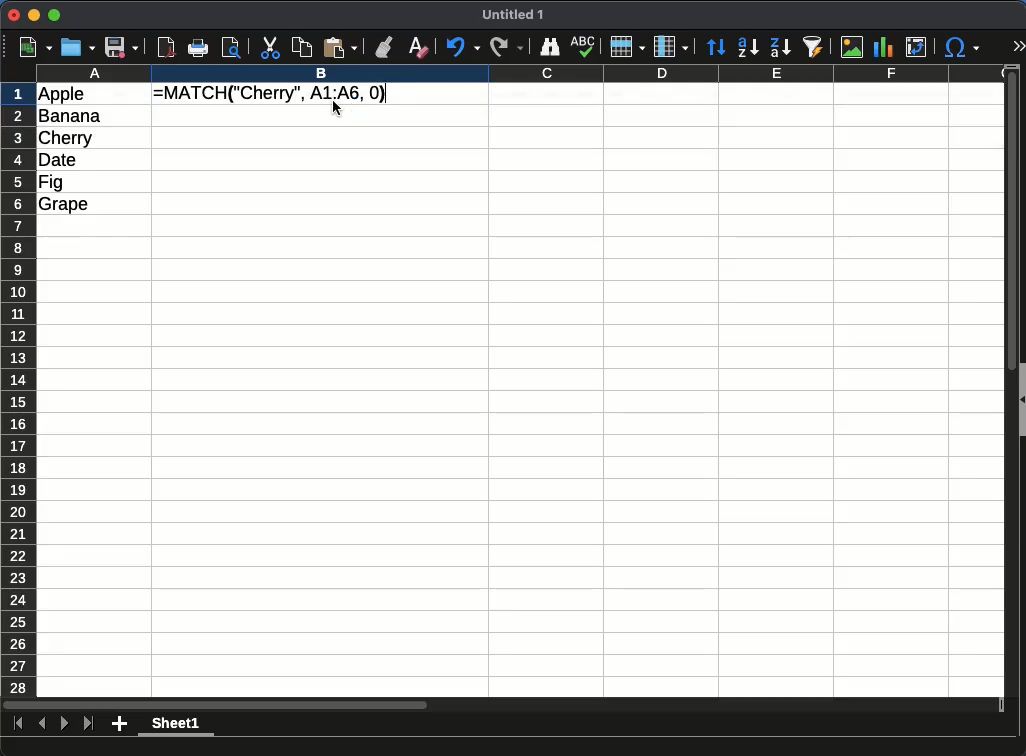 Image resolution: width=1026 pixels, height=756 pixels. Describe the element at coordinates (269, 48) in the screenshot. I see `cut` at that location.